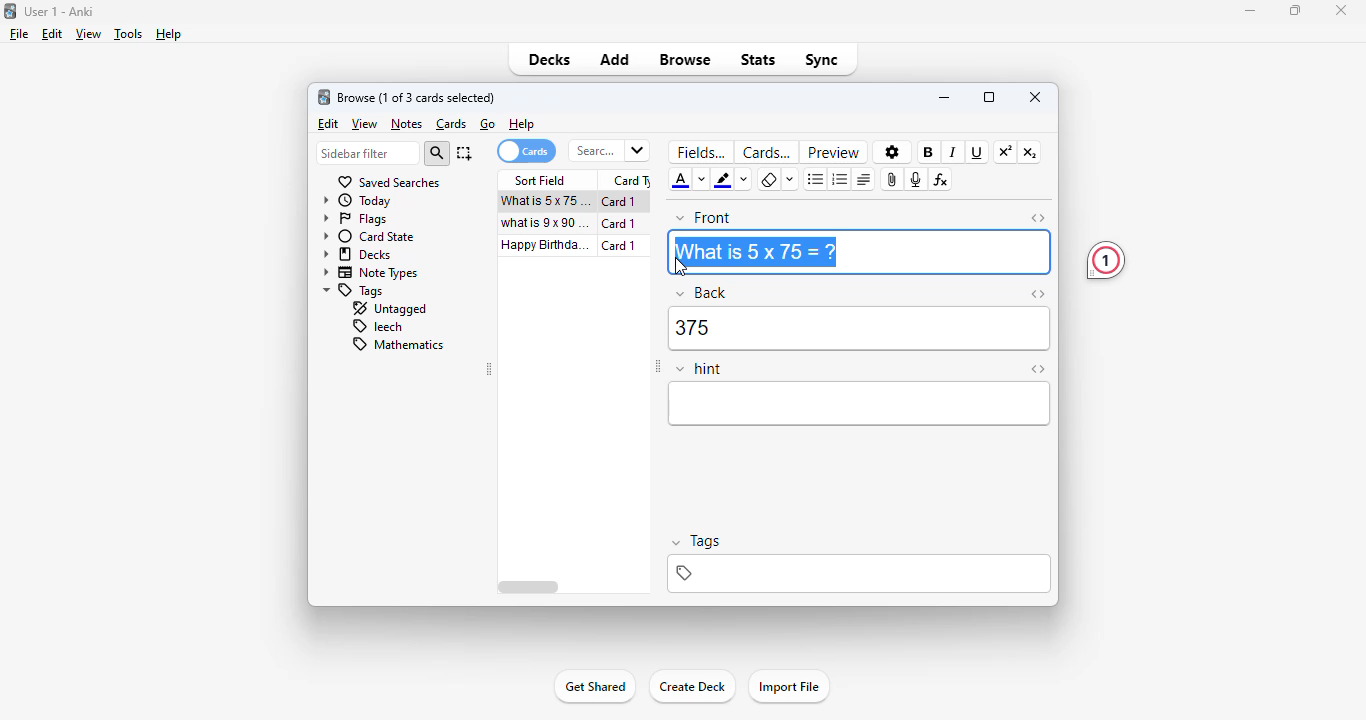 The width and height of the screenshot is (1366, 720). Describe the element at coordinates (839, 179) in the screenshot. I see `ordered list` at that location.